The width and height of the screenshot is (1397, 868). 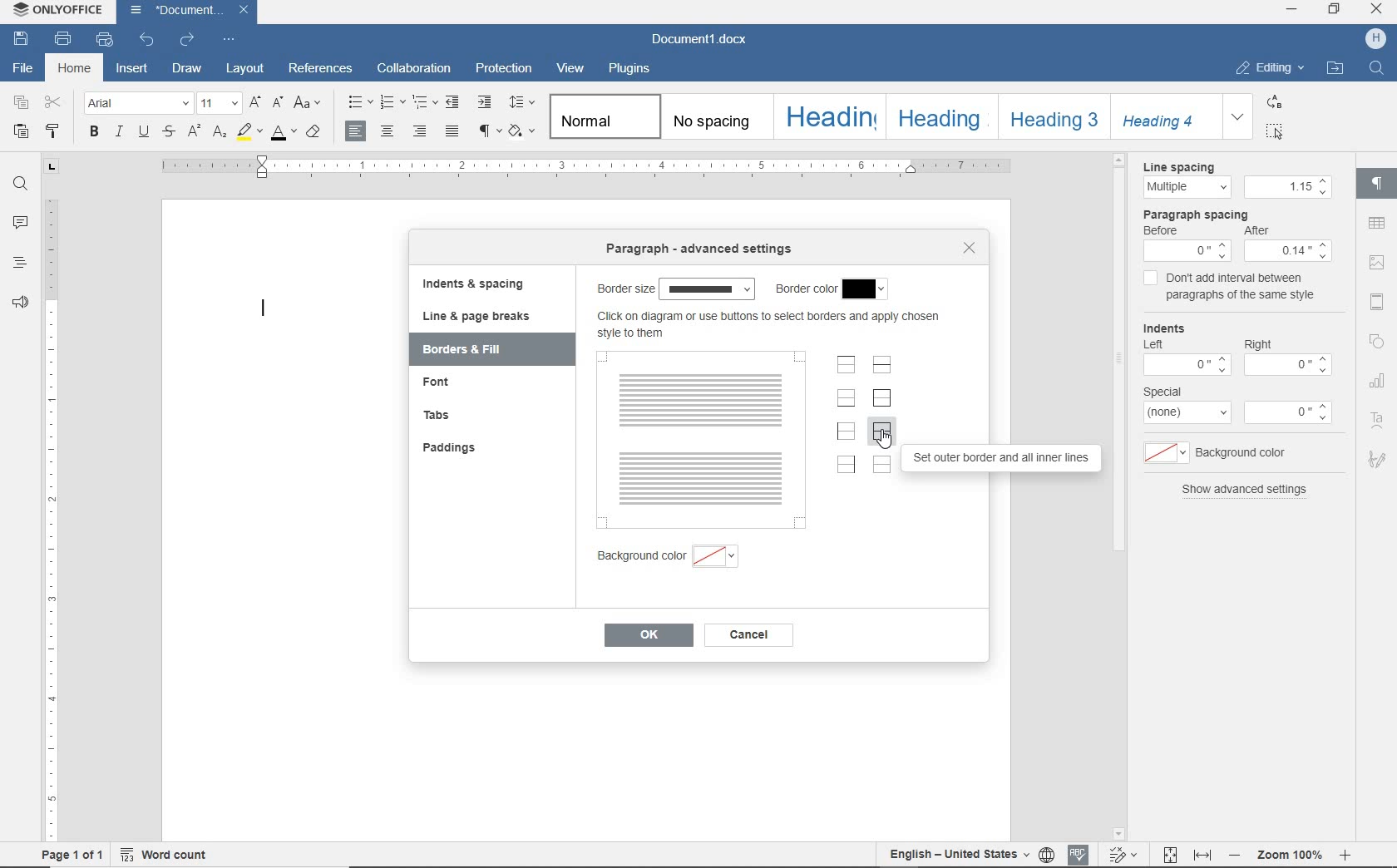 I want to click on page 1 of 1, so click(x=71, y=857).